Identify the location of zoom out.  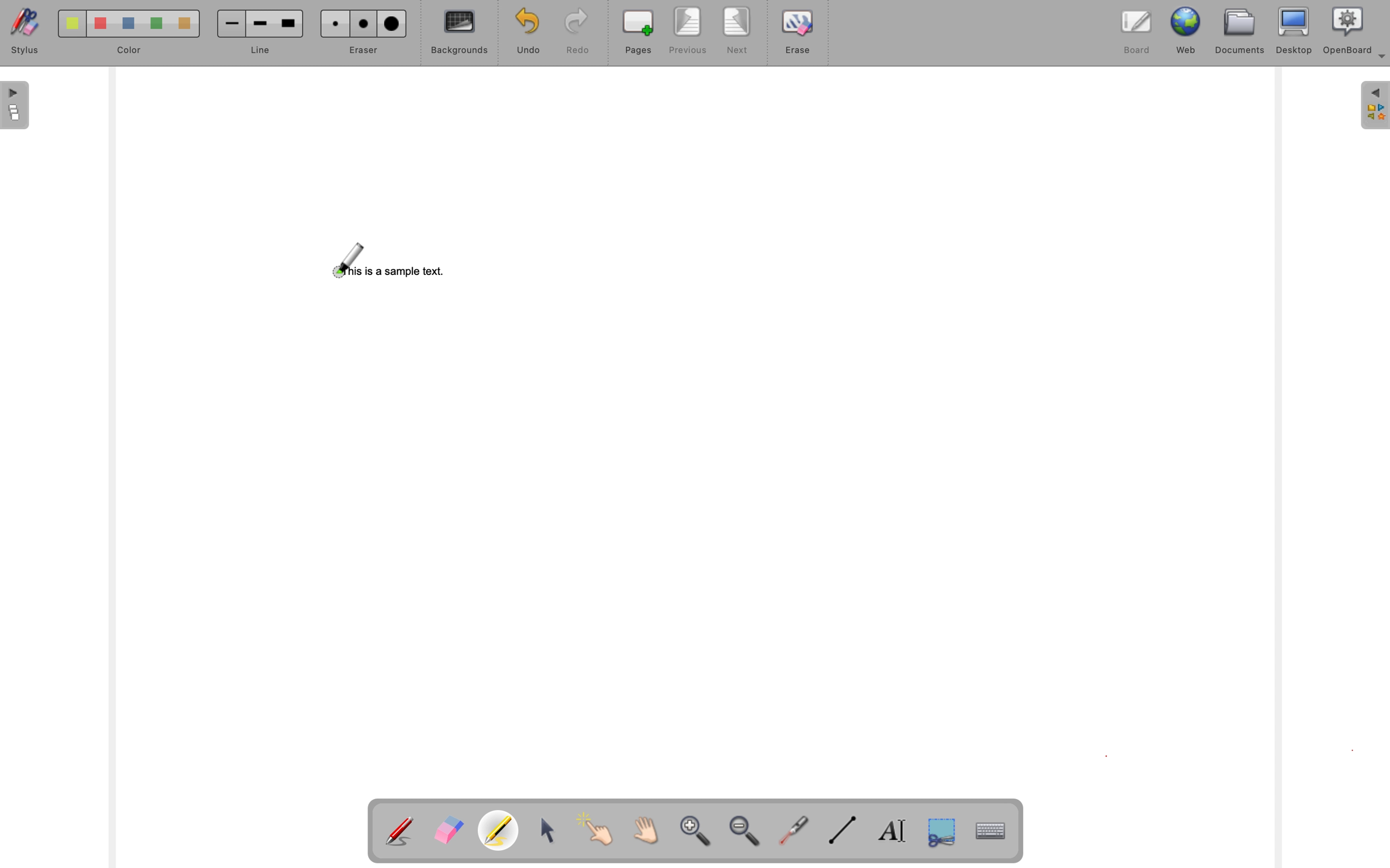
(747, 831).